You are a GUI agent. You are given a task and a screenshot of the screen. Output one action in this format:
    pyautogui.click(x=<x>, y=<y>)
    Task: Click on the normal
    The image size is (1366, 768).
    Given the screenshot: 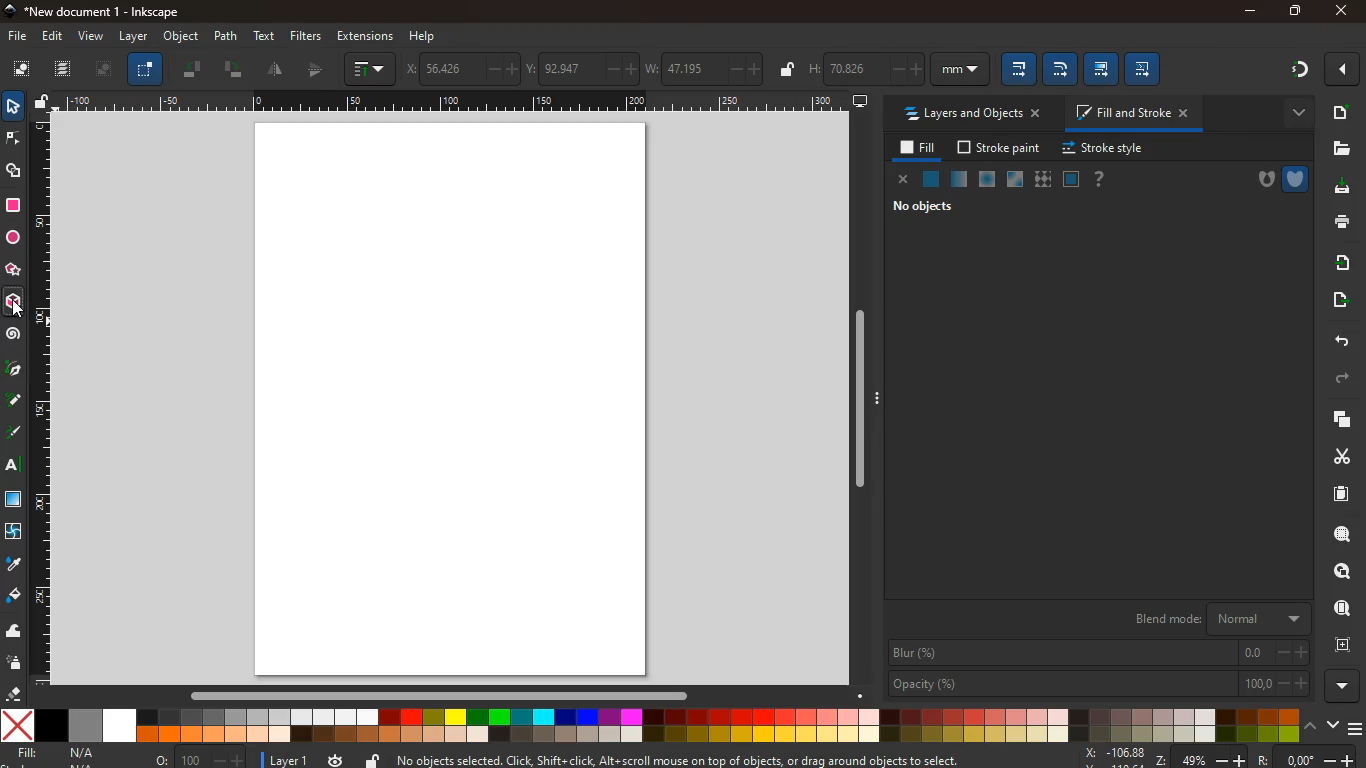 What is the action you would take?
    pyautogui.click(x=932, y=180)
    